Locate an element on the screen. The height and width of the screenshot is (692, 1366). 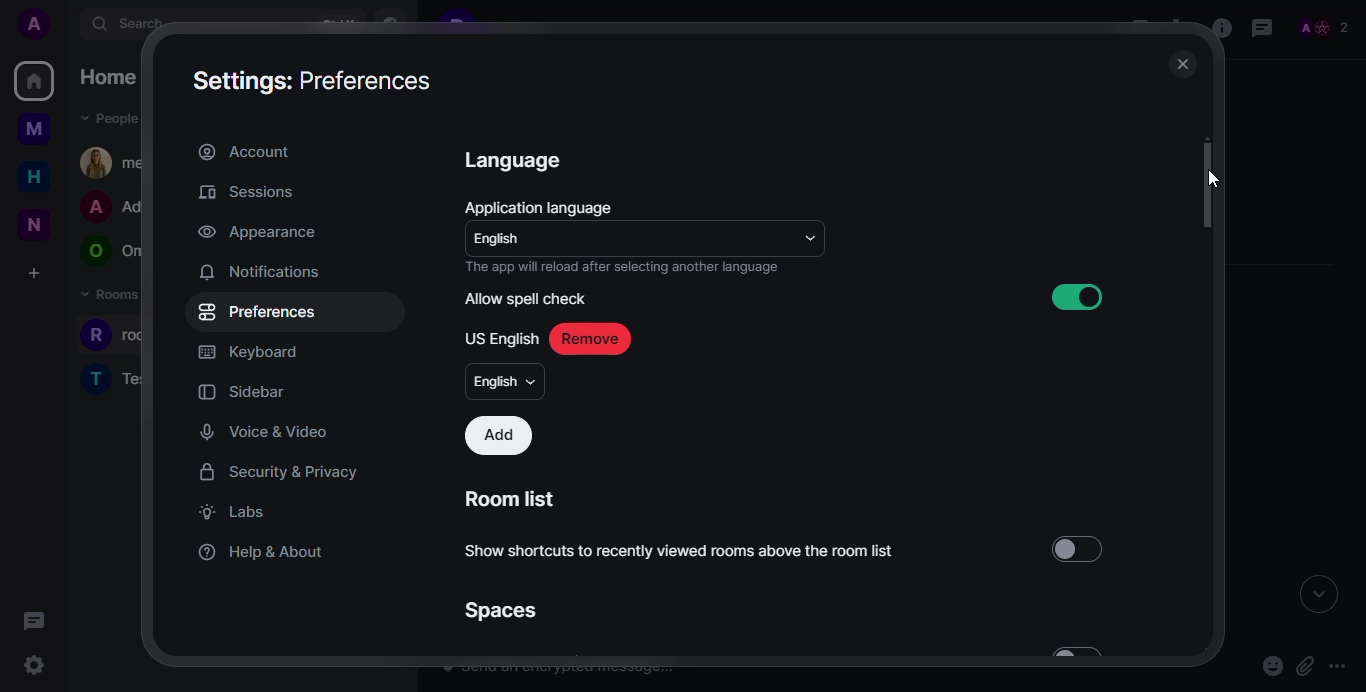
threads is located at coordinates (1262, 27).